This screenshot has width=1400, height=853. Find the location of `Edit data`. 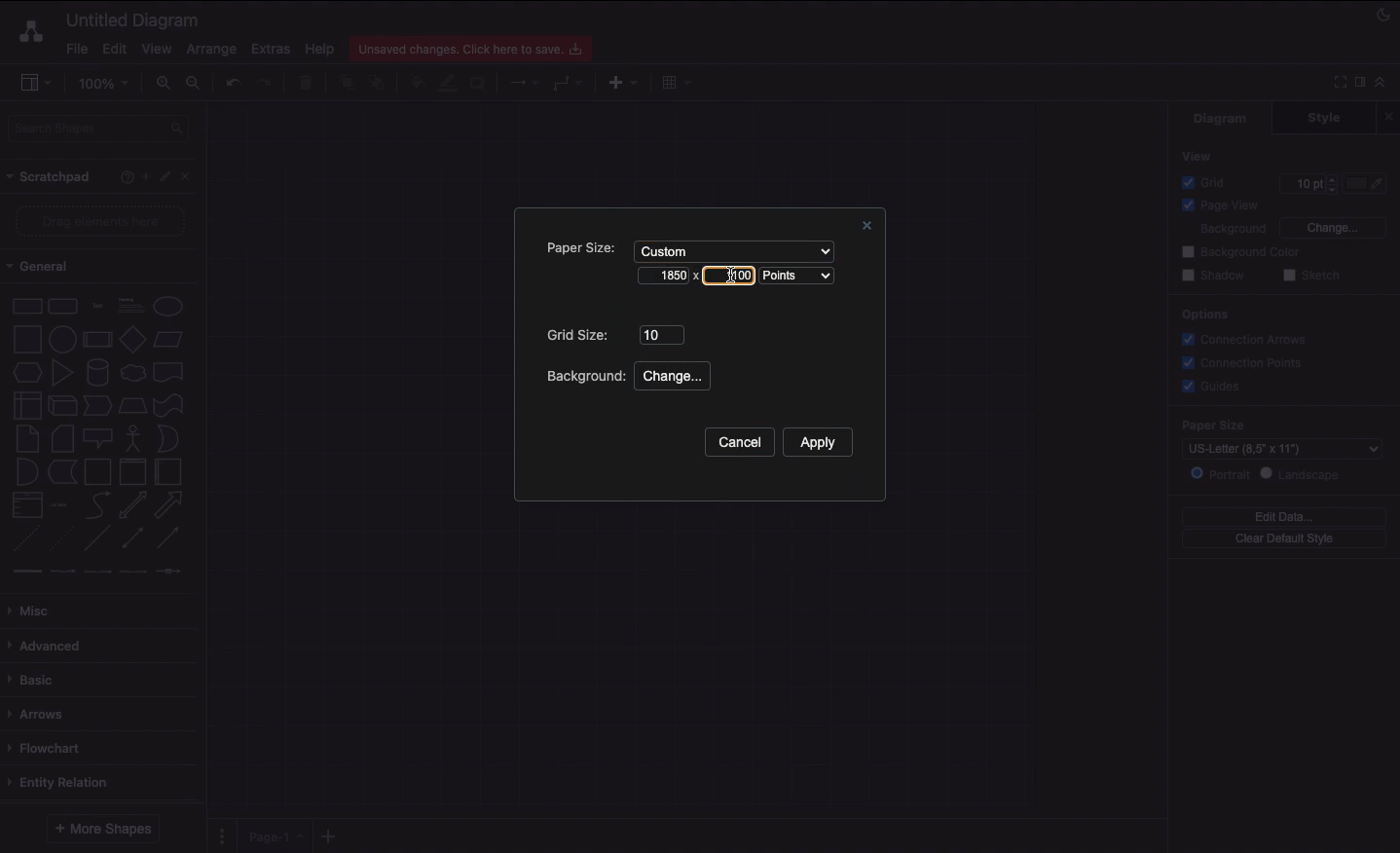

Edit data is located at coordinates (1284, 516).